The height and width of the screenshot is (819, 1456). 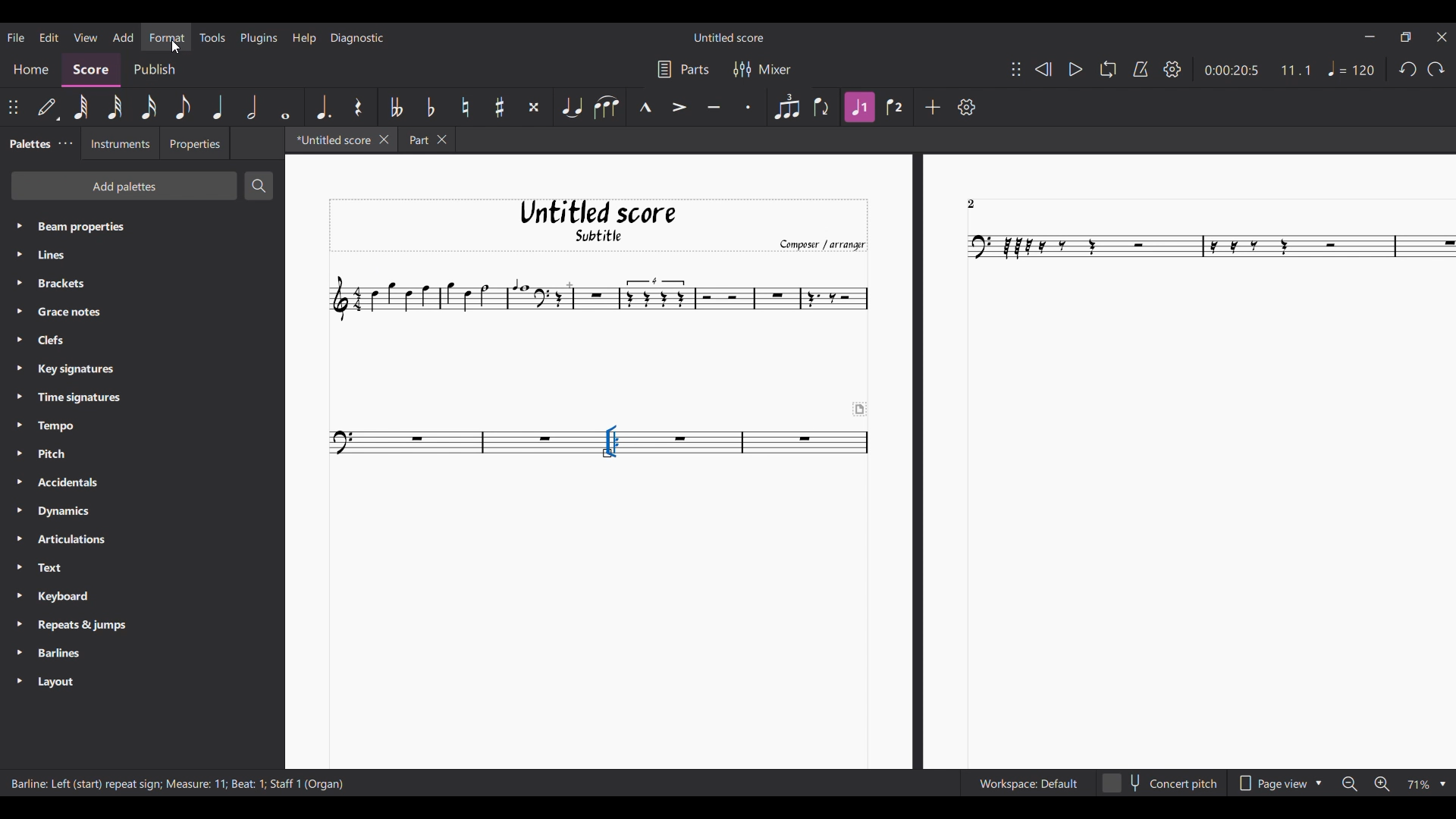 I want to click on Zoom options , so click(x=1426, y=785).